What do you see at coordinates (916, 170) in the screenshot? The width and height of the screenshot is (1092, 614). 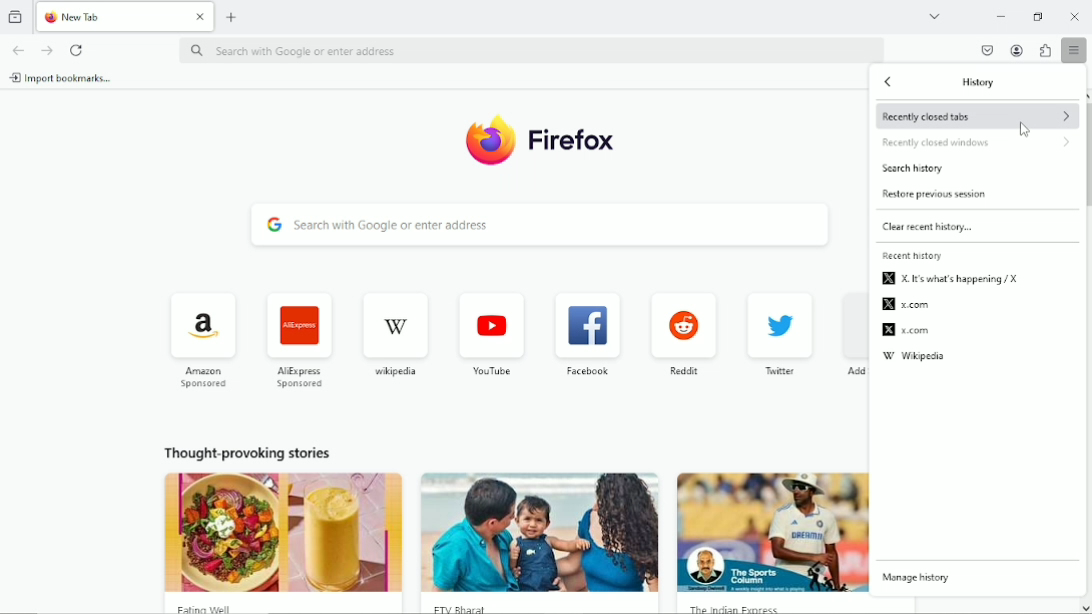 I see `search history` at bounding box center [916, 170].